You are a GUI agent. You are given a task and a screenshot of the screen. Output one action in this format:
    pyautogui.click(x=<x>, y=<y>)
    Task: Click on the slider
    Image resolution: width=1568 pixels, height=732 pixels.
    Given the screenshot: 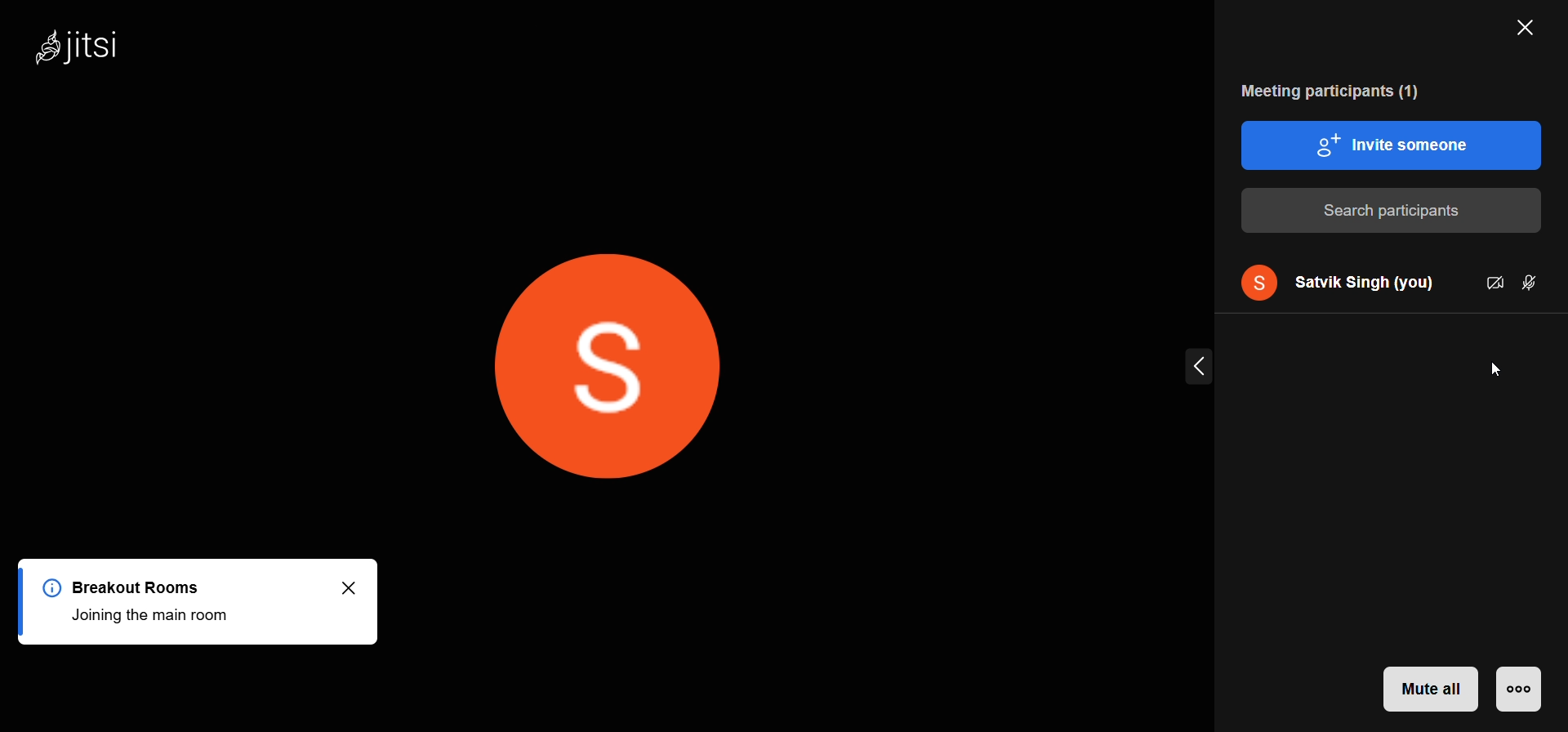 What is the action you would take?
    pyautogui.click(x=1201, y=365)
    